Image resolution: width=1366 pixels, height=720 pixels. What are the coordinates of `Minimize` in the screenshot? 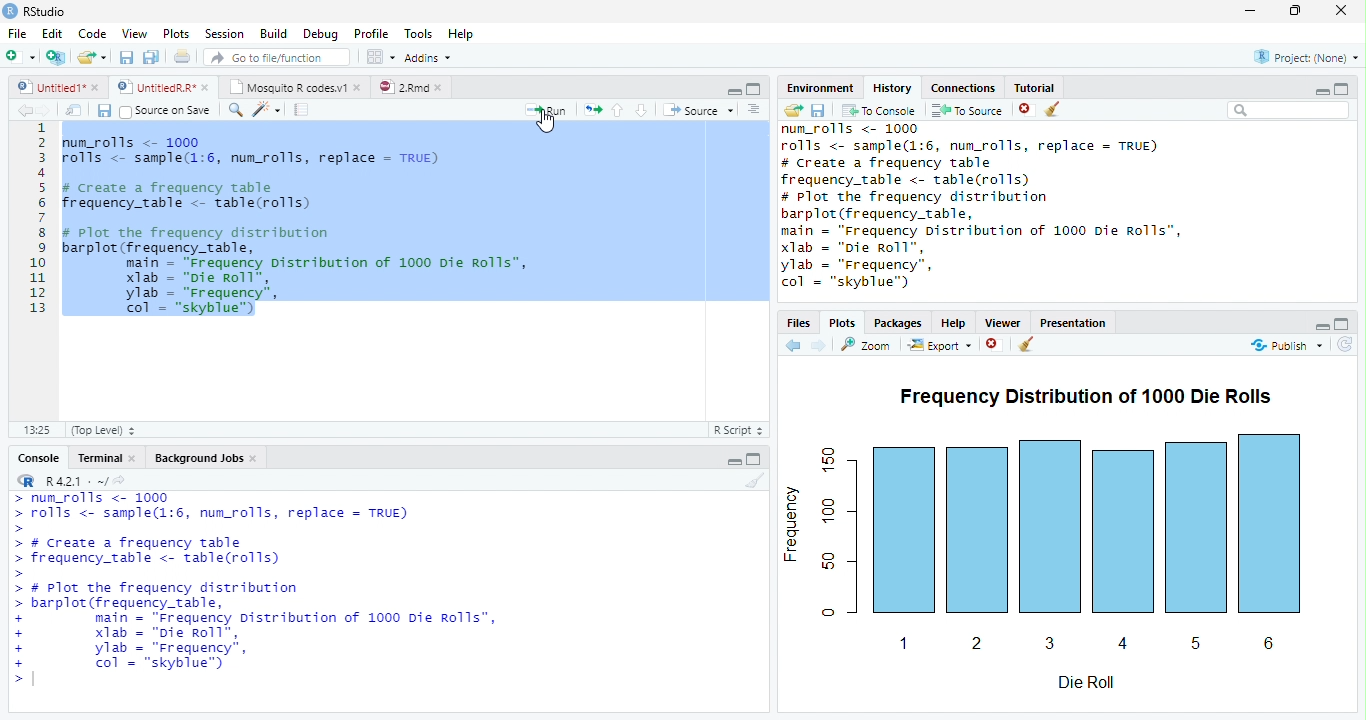 It's located at (1251, 11).